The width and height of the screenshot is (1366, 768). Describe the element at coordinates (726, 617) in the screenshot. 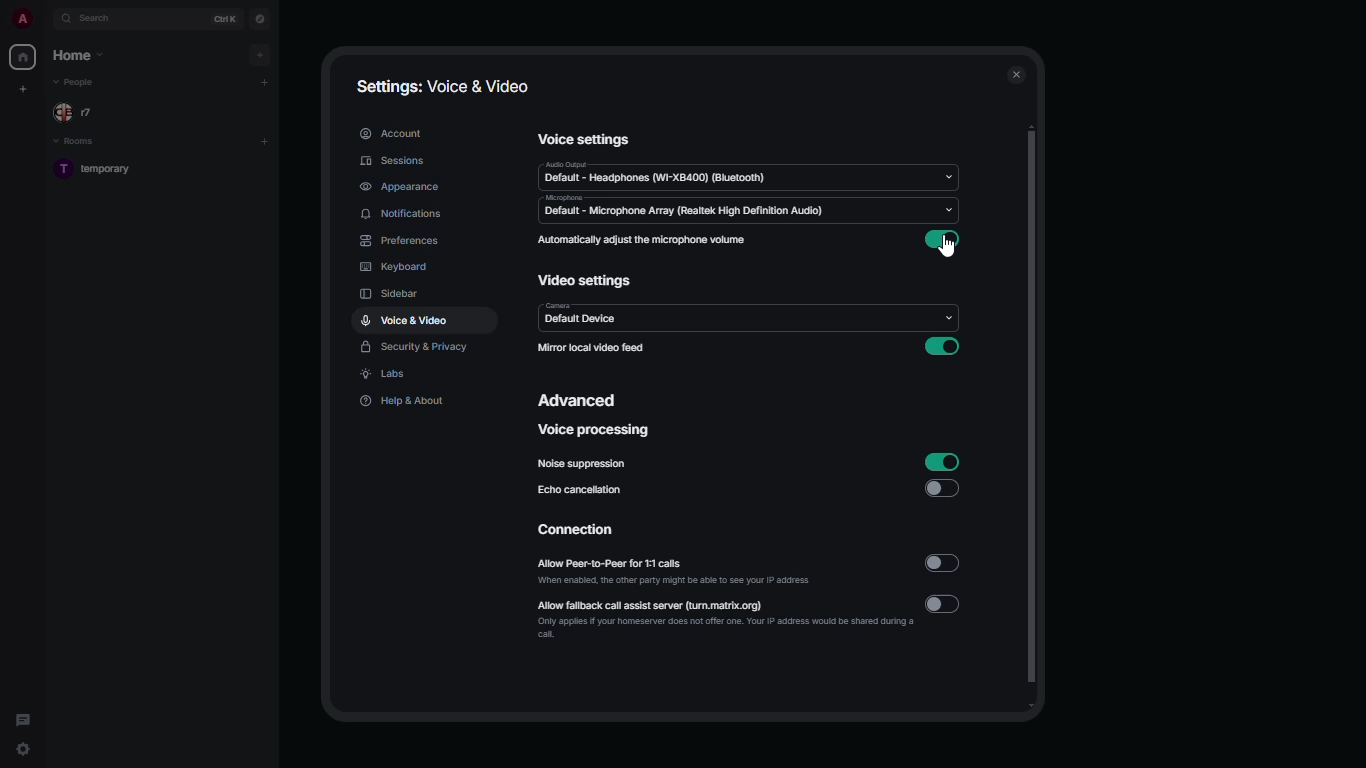

I see `allow fallback call assist server` at that location.